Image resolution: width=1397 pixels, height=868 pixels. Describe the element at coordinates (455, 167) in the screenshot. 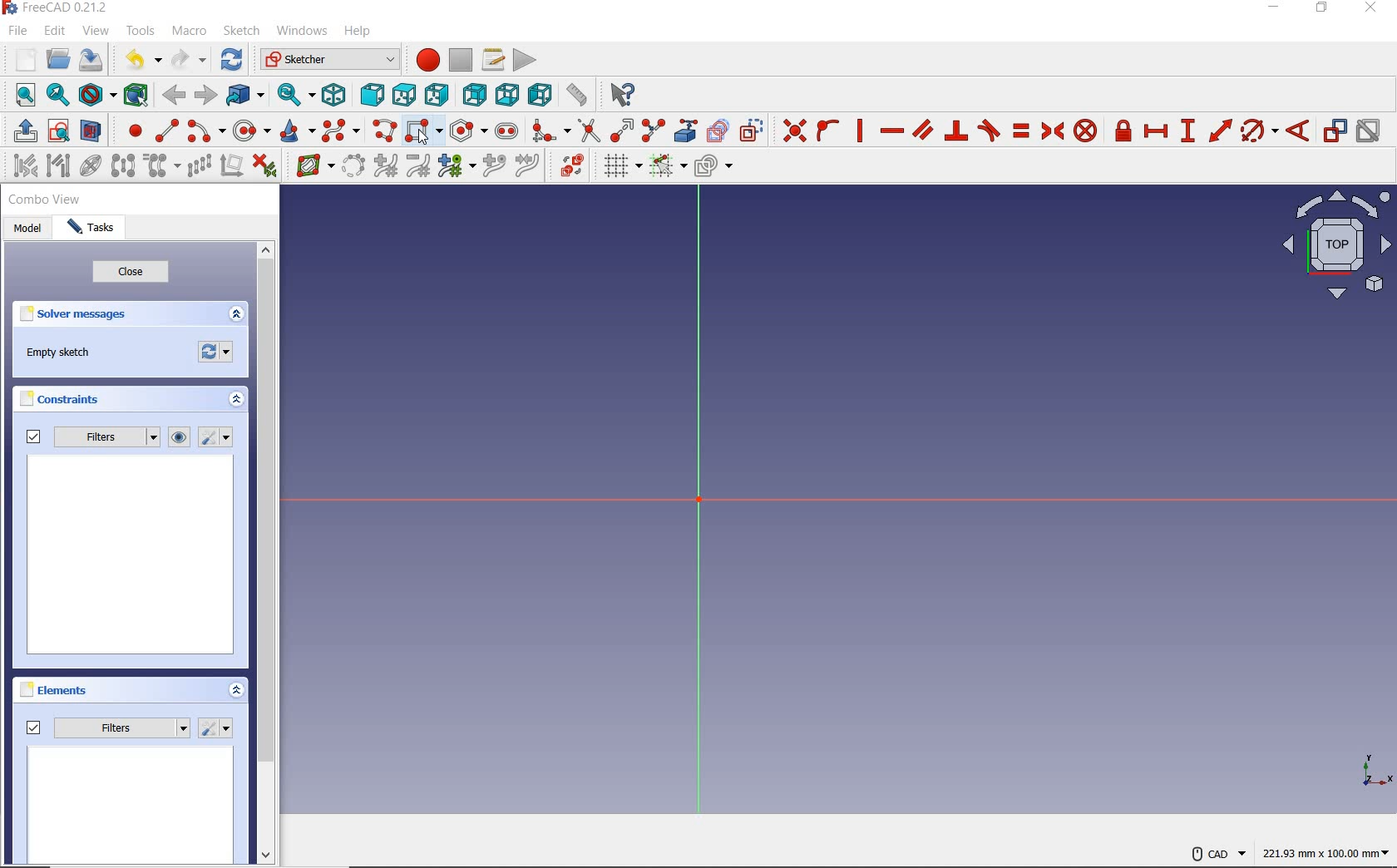

I see `modify knot multiplicity` at that location.